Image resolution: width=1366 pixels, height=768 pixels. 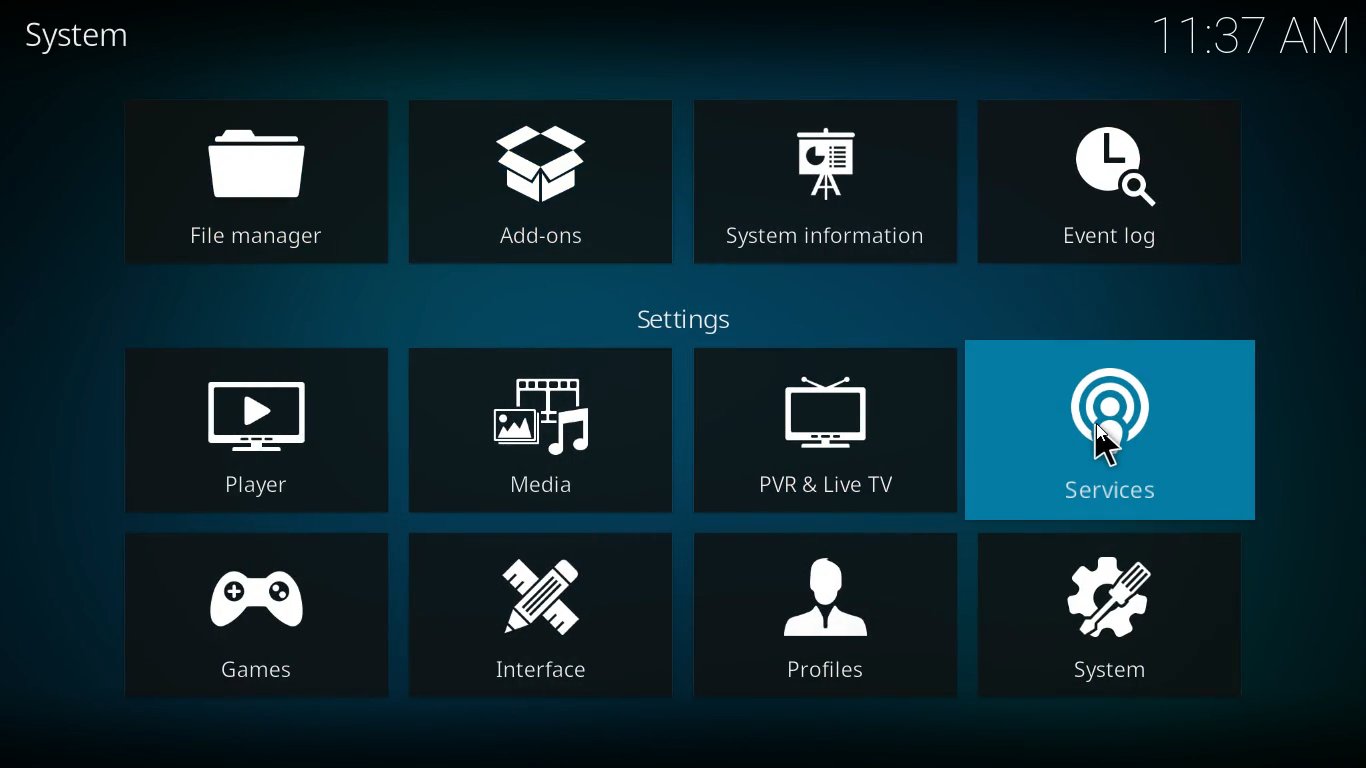 I want to click on player, so click(x=249, y=431).